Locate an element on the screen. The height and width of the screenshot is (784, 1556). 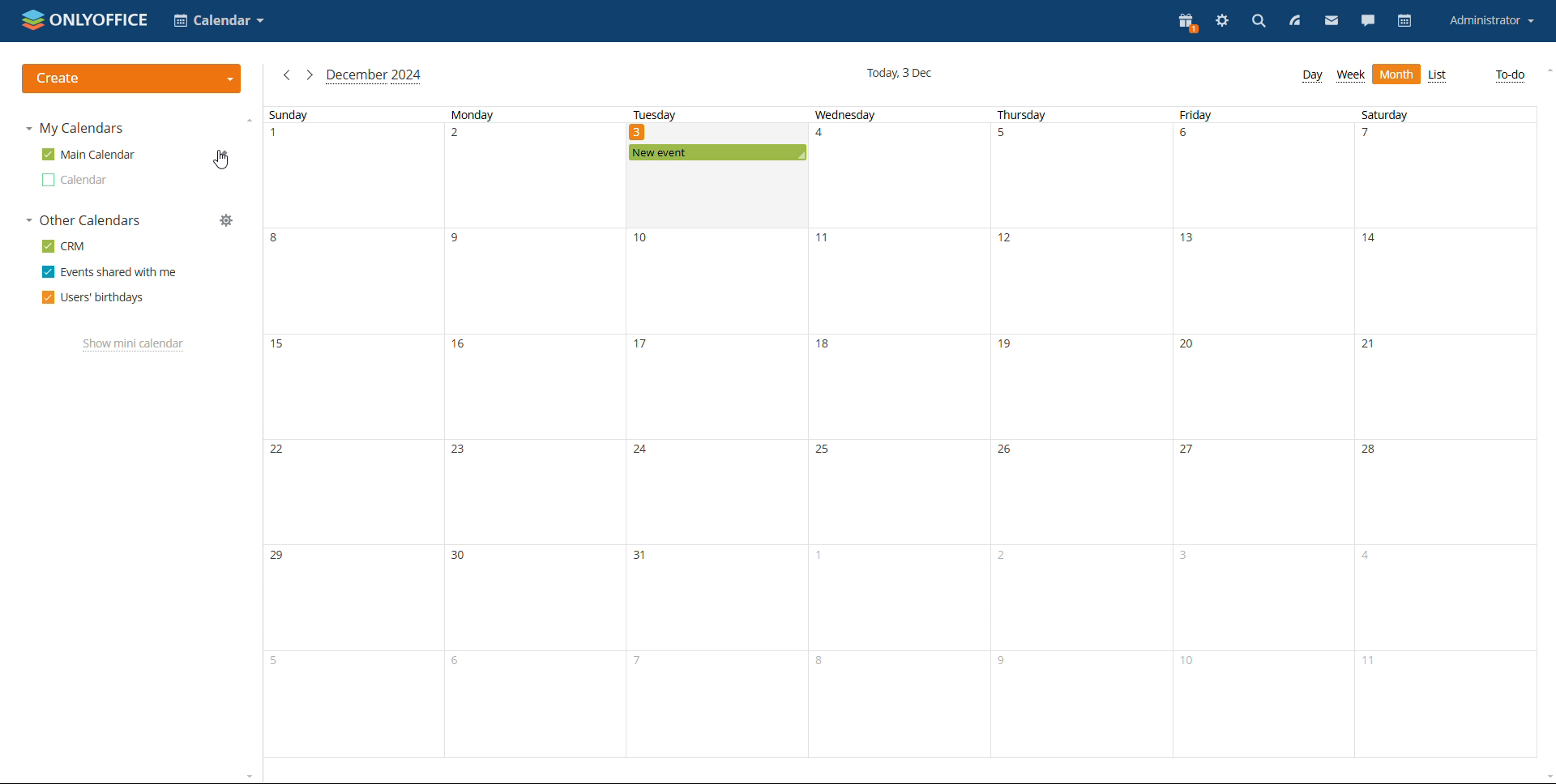
adte is located at coordinates (1079, 492).